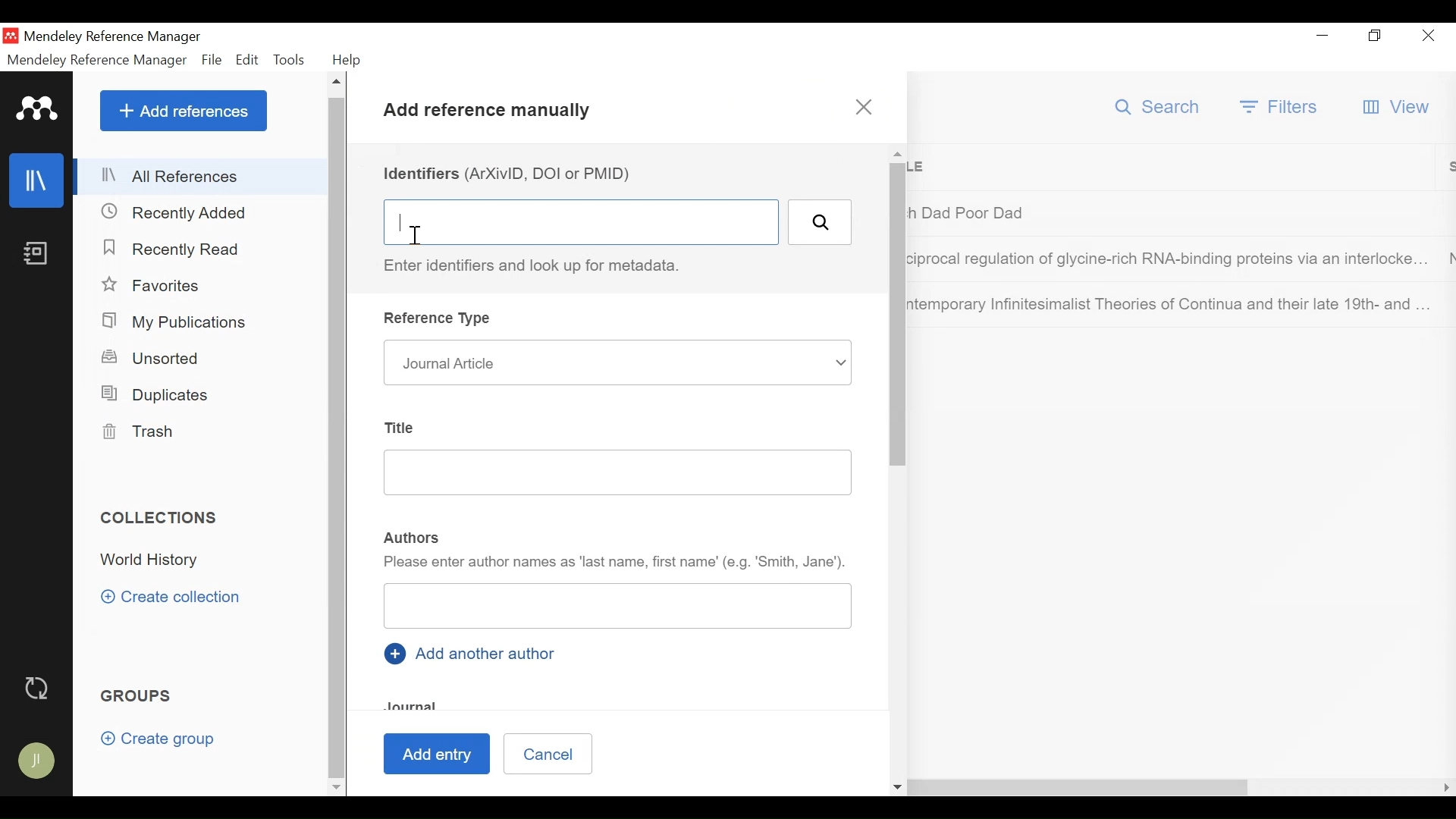 The width and height of the screenshot is (1456, 819). What do you see at coordinates (336, 786) in the screenshot?
I see `Scroll down` at bounding box center [336, 786].